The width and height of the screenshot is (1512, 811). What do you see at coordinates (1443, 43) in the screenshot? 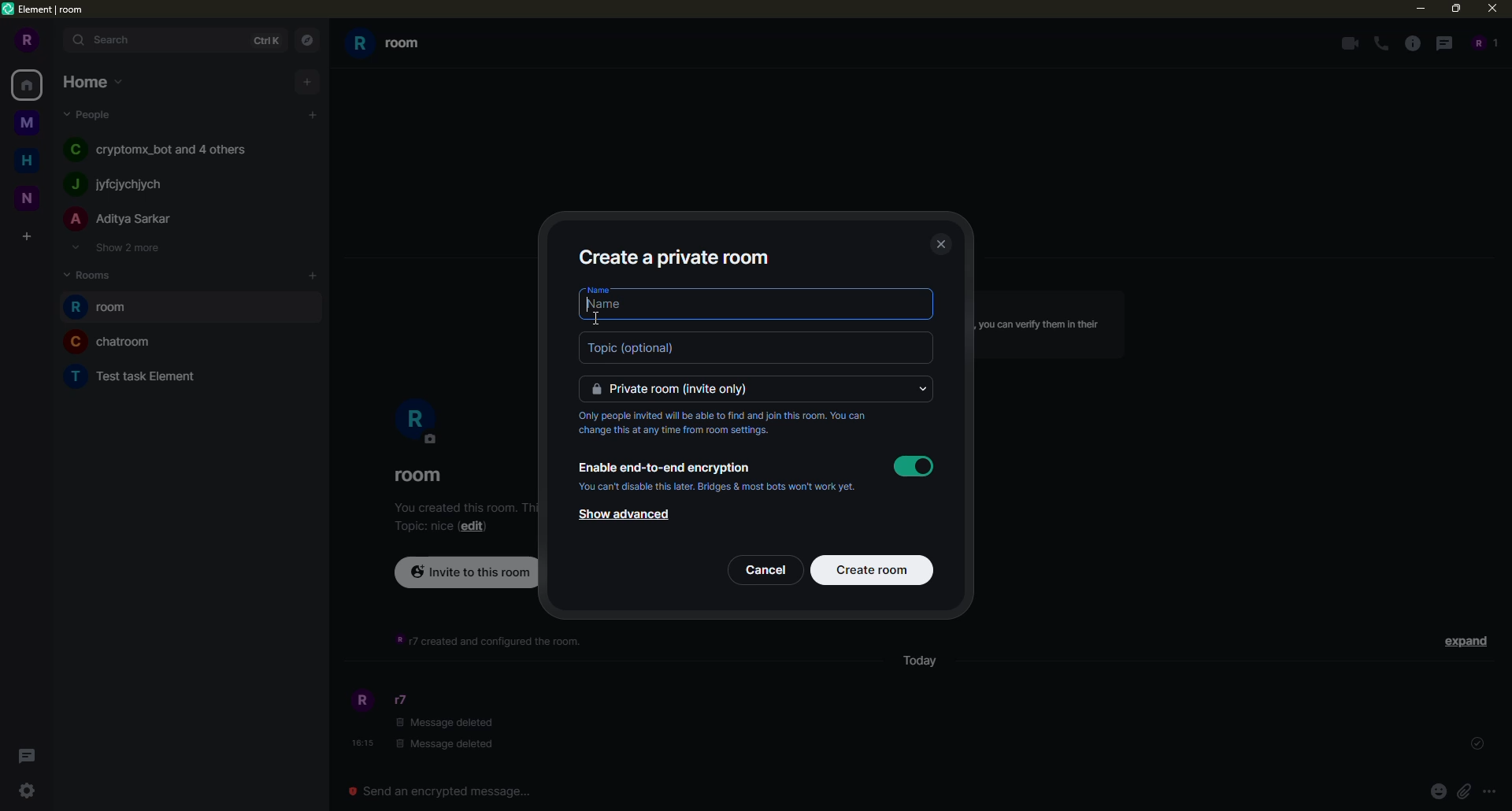
I see `threads` at bounding box center [1443, 43].